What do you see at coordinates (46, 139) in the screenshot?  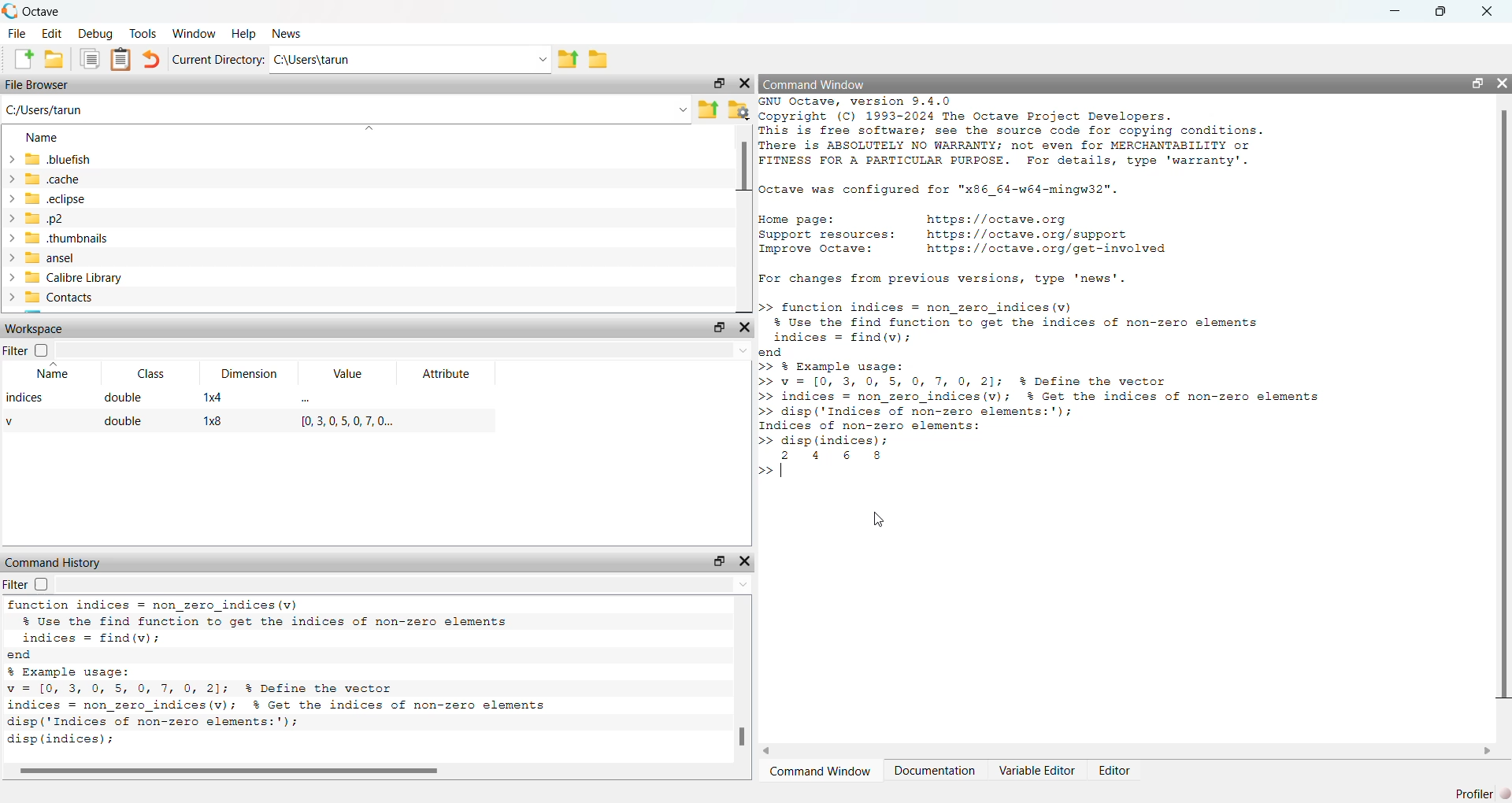 I see `Name` at bounding box center [46, 139].